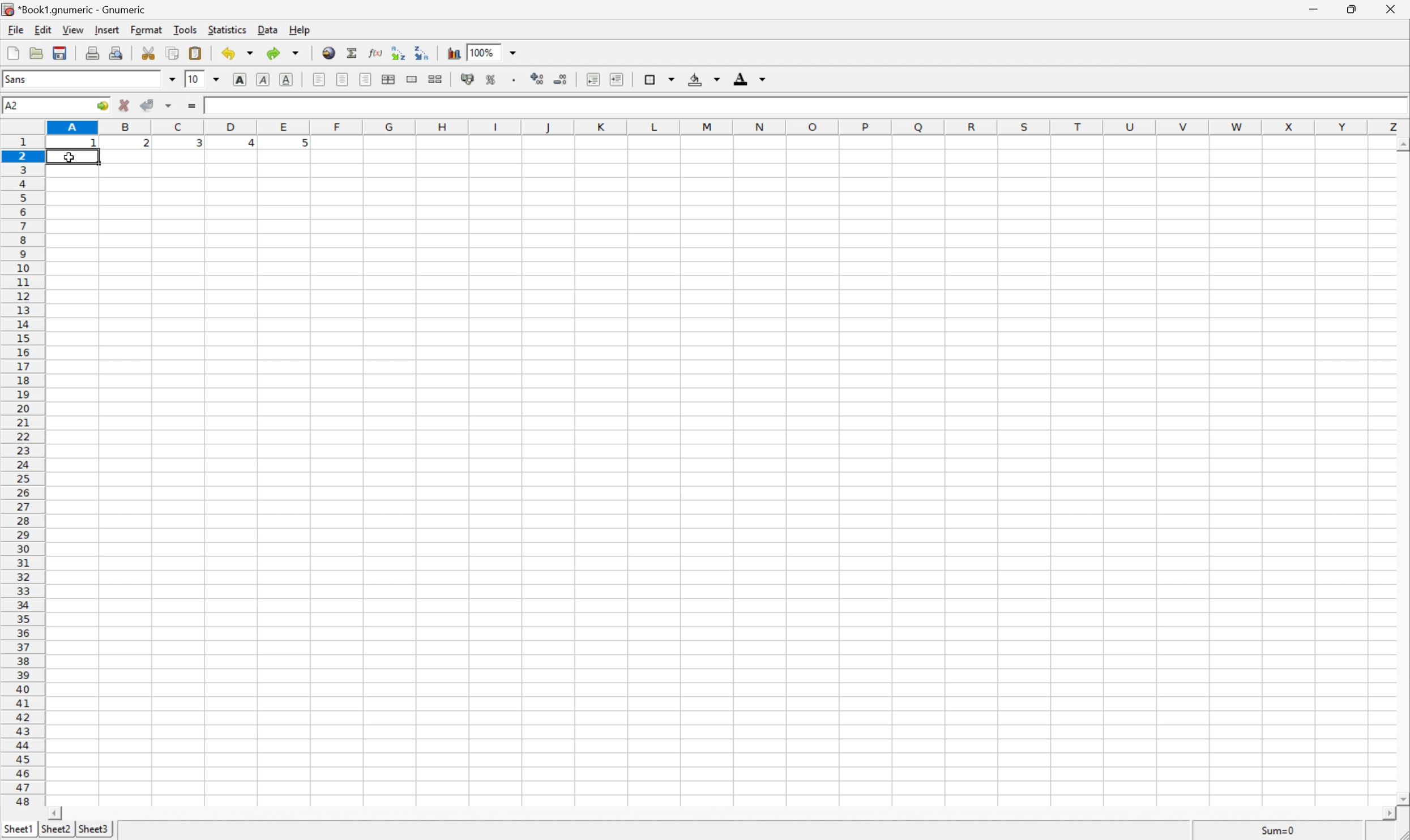 This screenshot has width=1410, height=840. What do you see at coordinates (559, 79) in the screenshot?
I see `decrease number of decimals displayed` at bounding box center [559, 79].